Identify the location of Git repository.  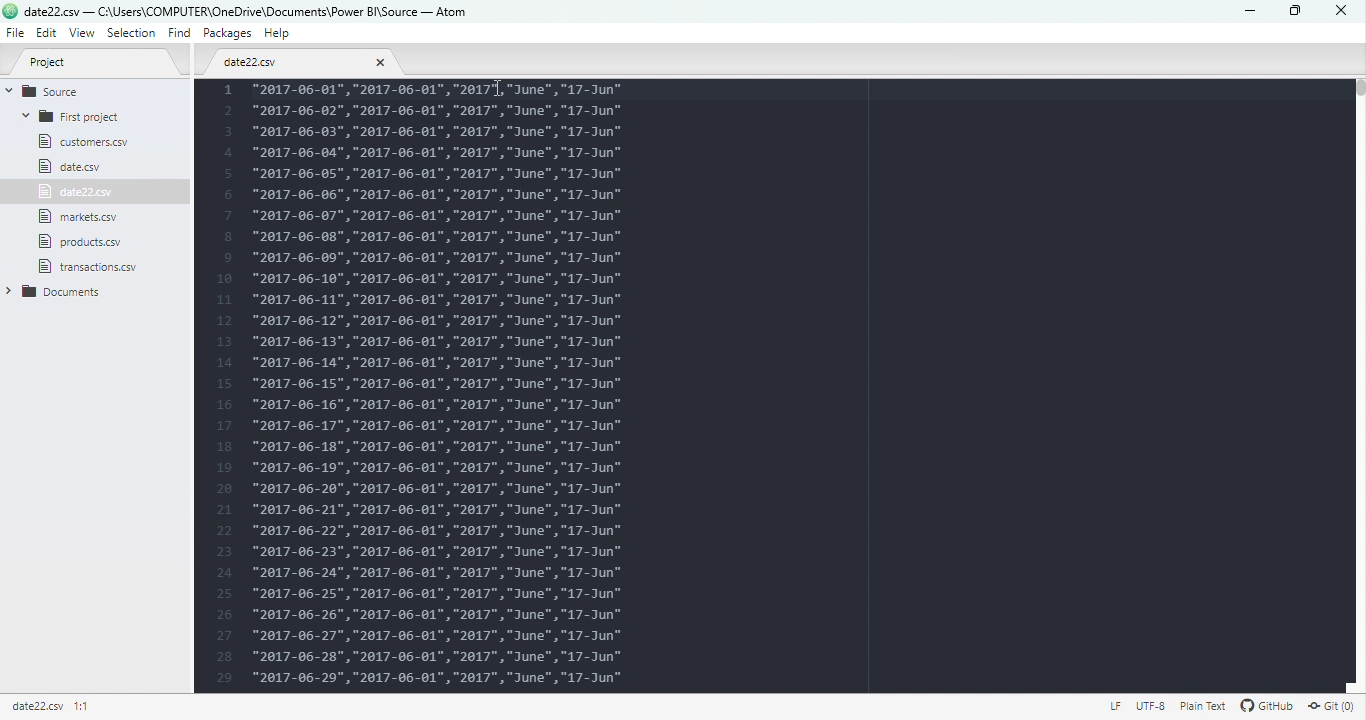
(1333, 705).